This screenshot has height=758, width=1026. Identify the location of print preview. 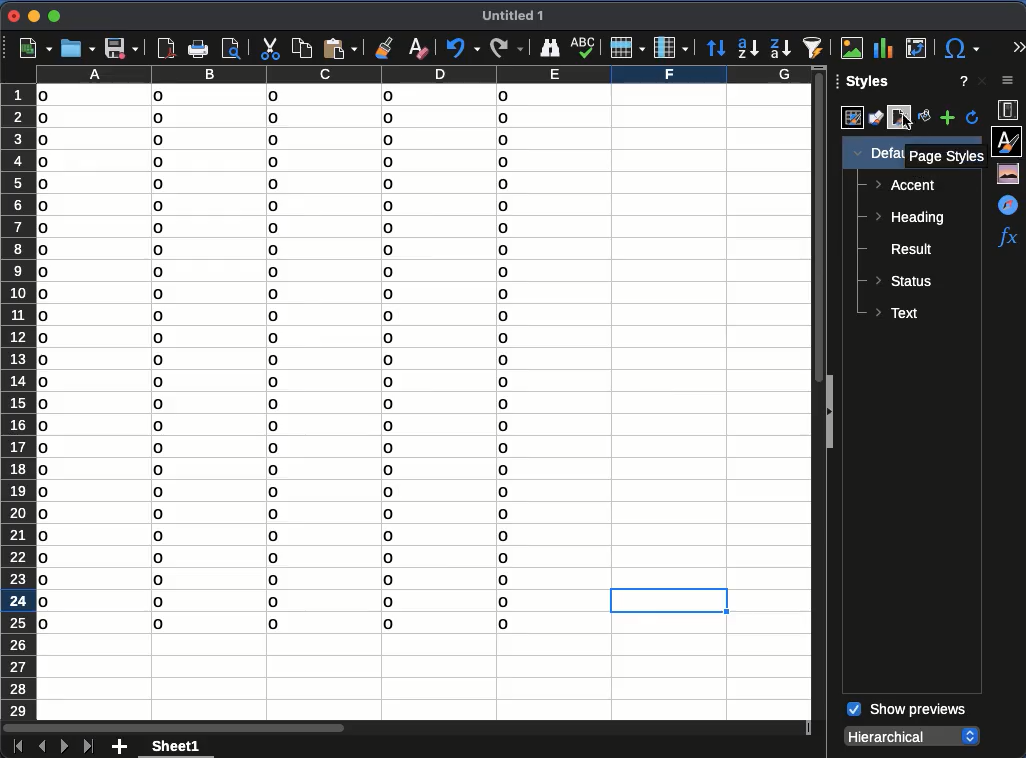
(233, 47).